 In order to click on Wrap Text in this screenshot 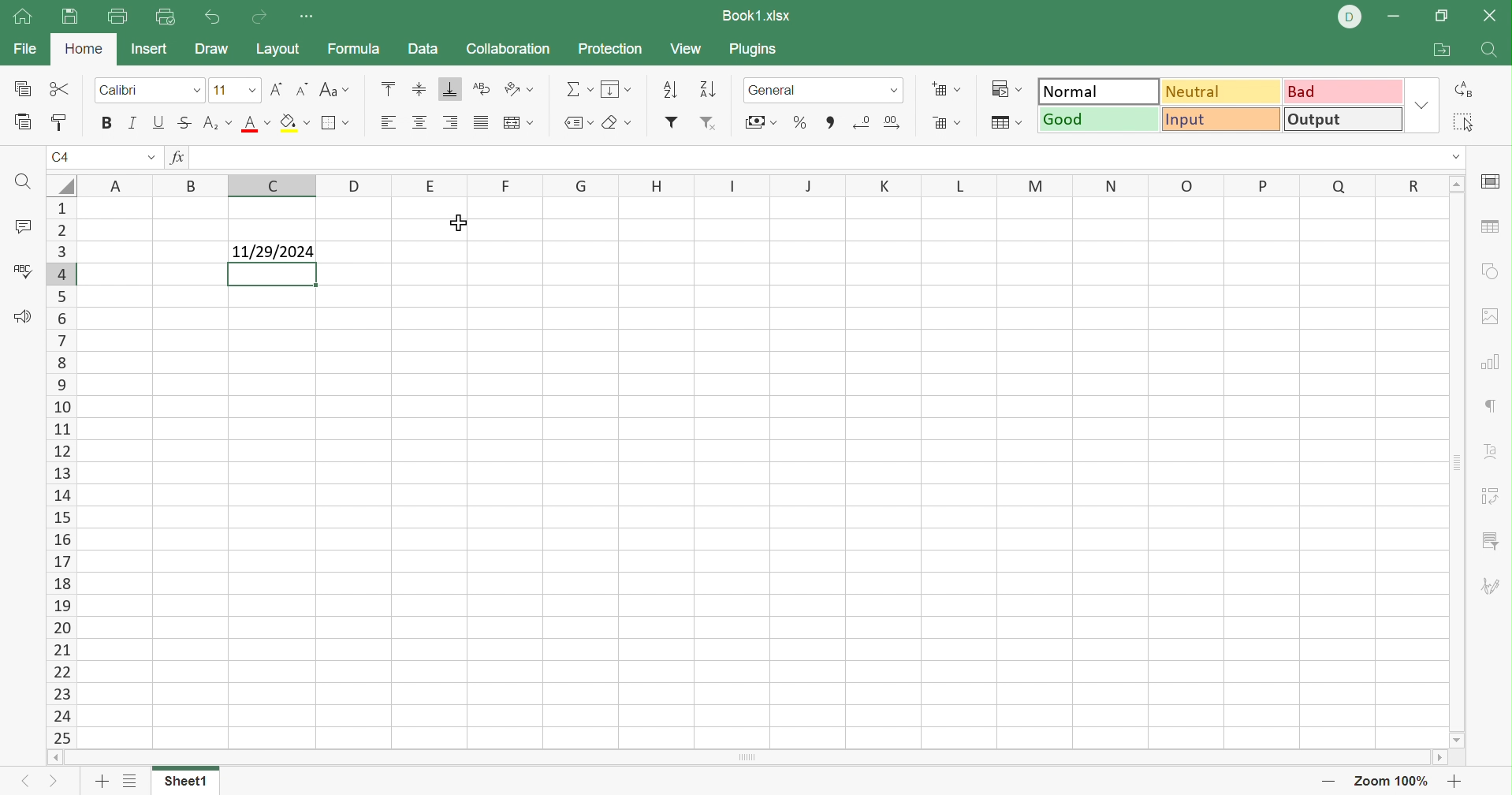, I will do `click(479, 89)`.